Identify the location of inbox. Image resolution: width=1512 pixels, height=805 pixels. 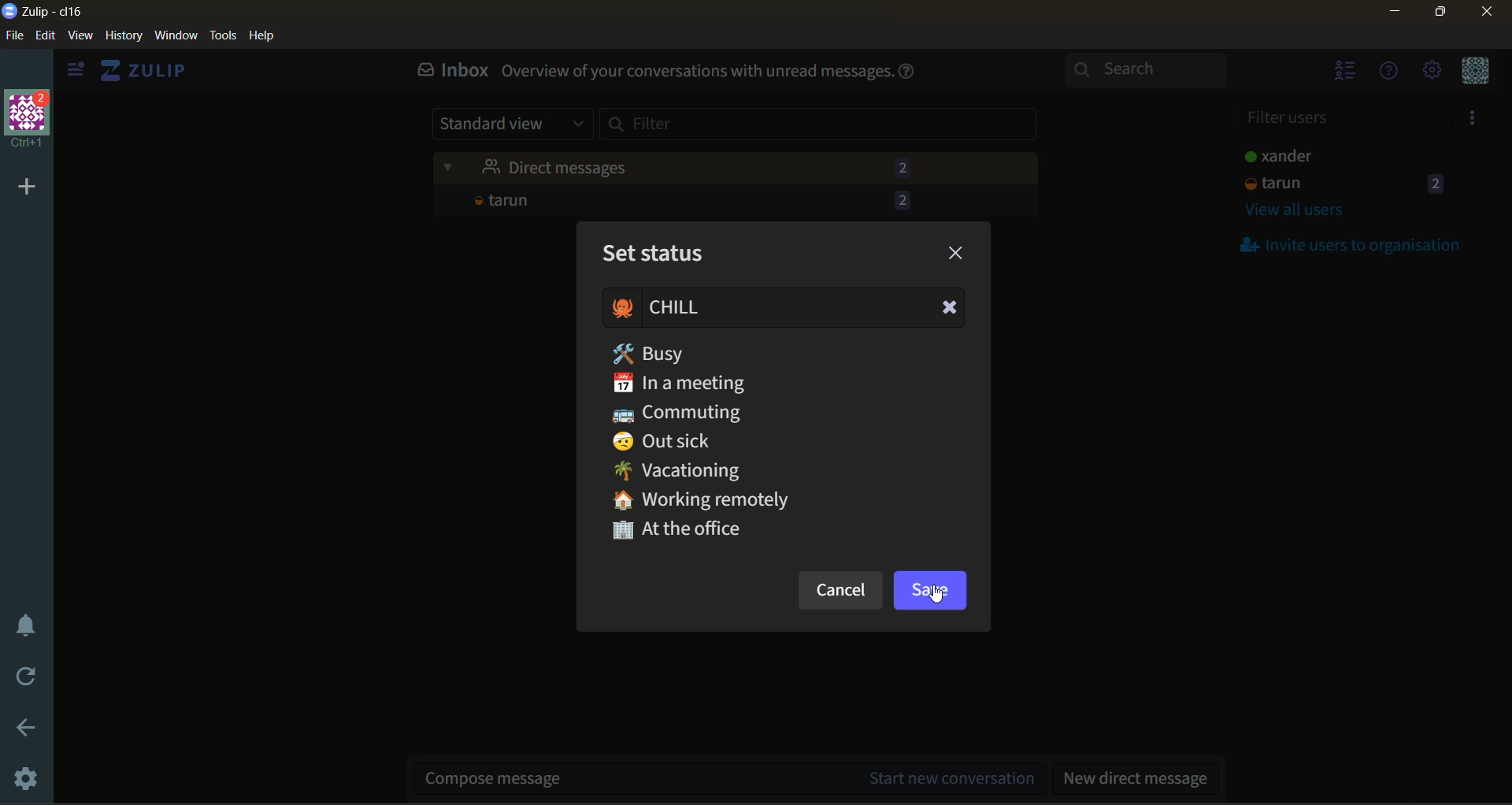
(448, 72).